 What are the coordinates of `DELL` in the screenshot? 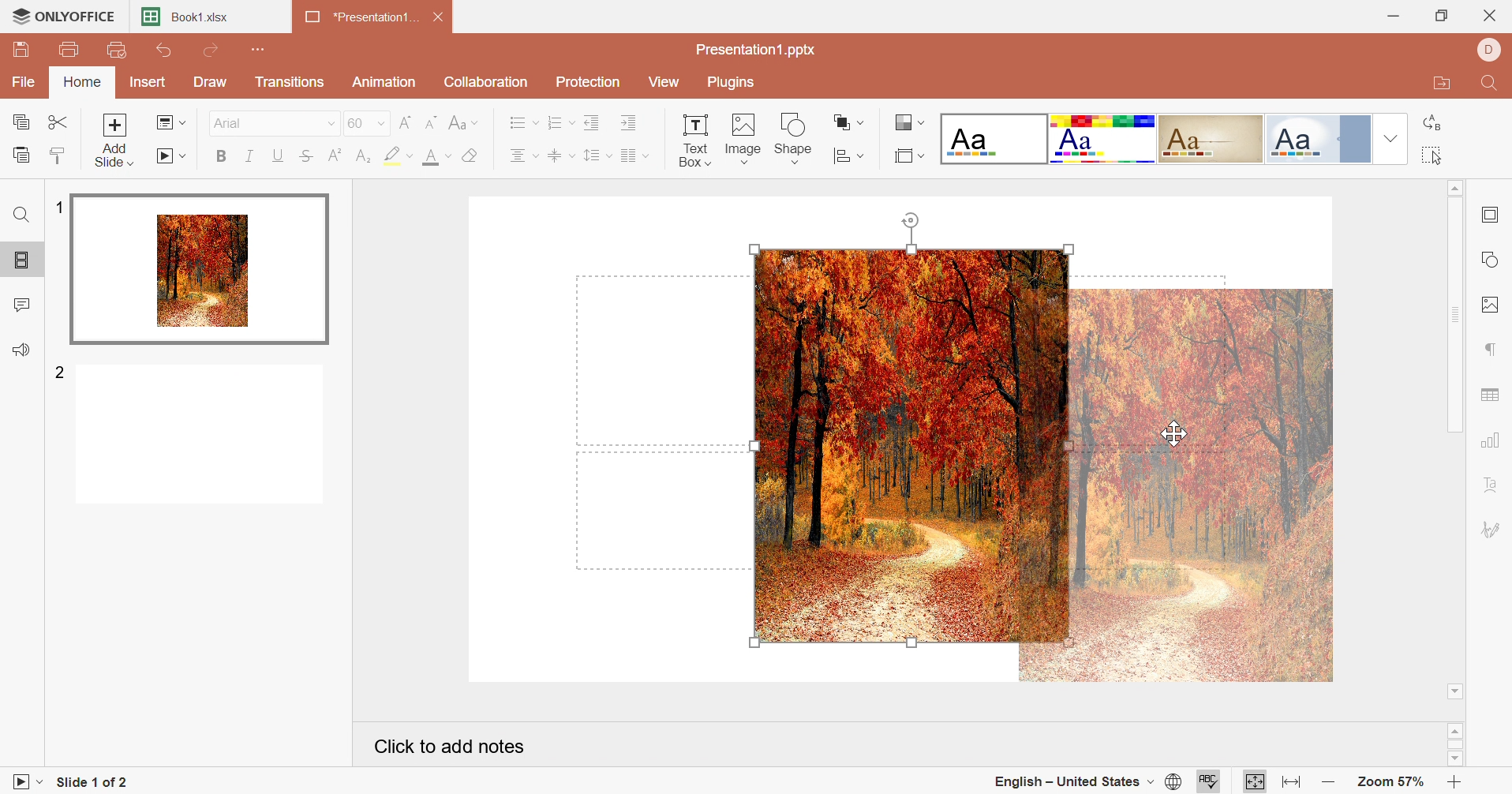 It's located at (1489, 51).